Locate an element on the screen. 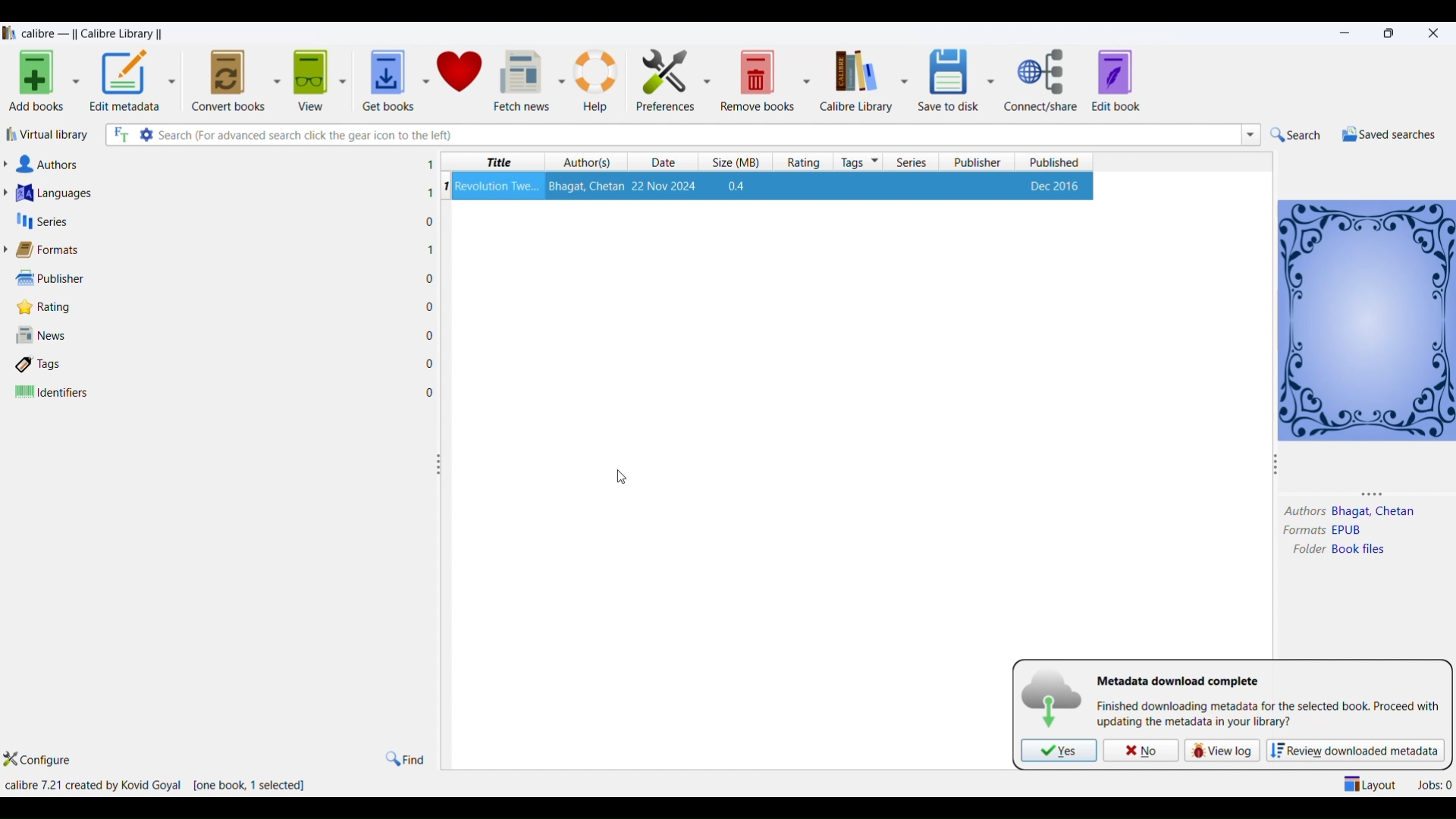 The width and height of the screenshot is (1456, 819). yes for updating metadata is located at coordinates (1059, 751).